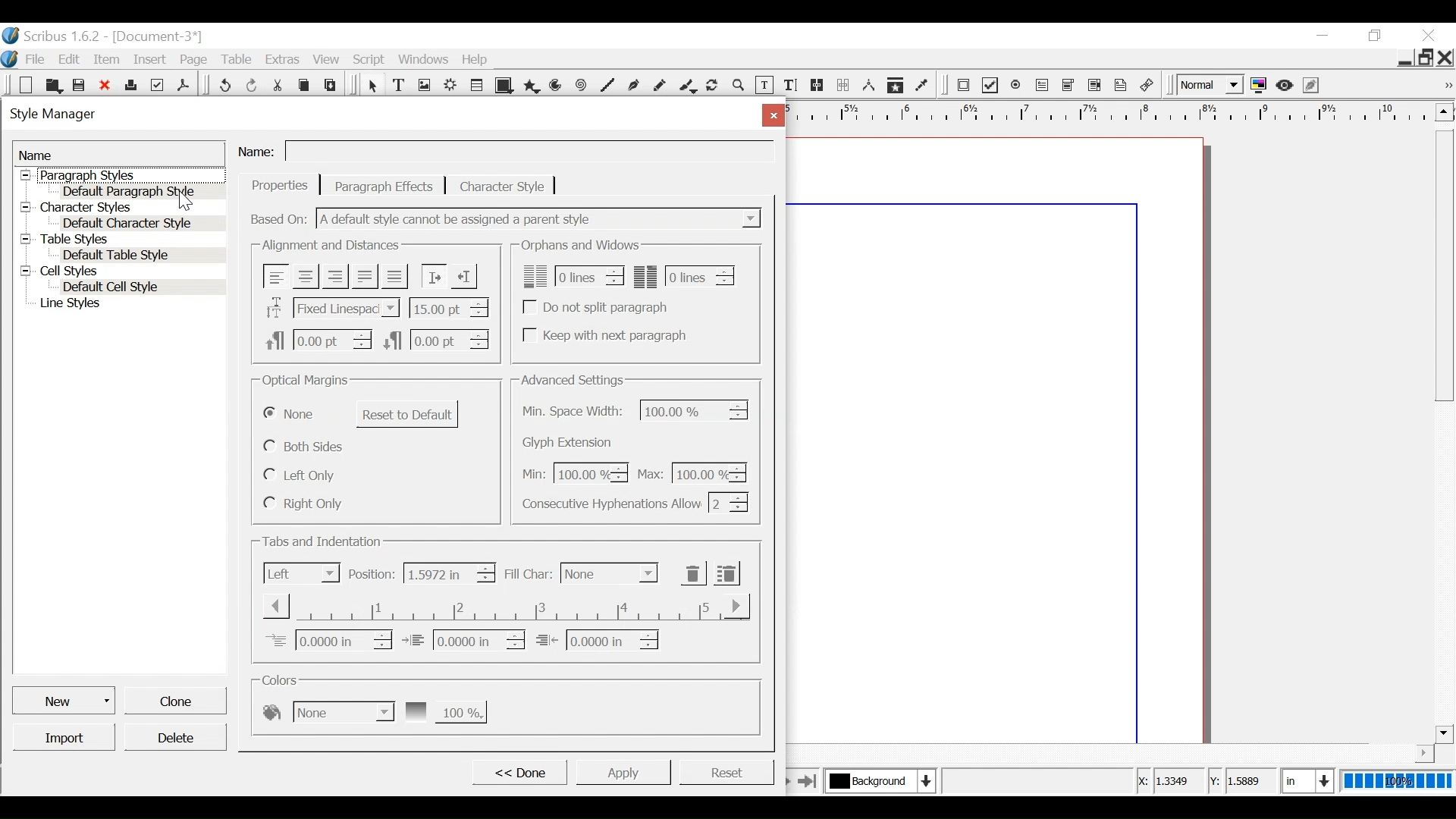 Image resolution: width=1456 pixels, height=819 pixels. I want to click on undo, so click(224, 83).